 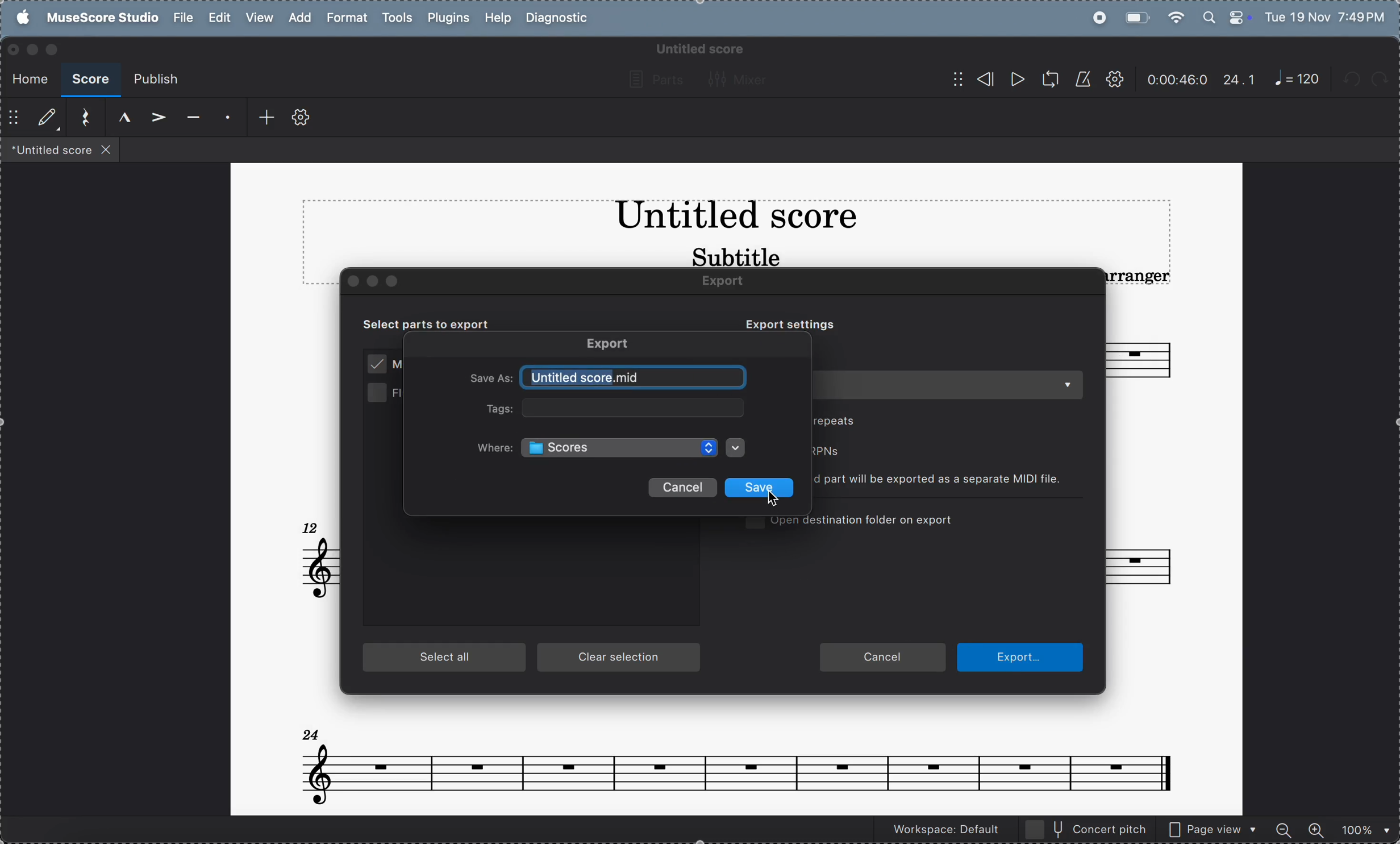 What do you see at coordinates (735, 218) in the screenshot?
I see `title` at bounding box center [735, 218].